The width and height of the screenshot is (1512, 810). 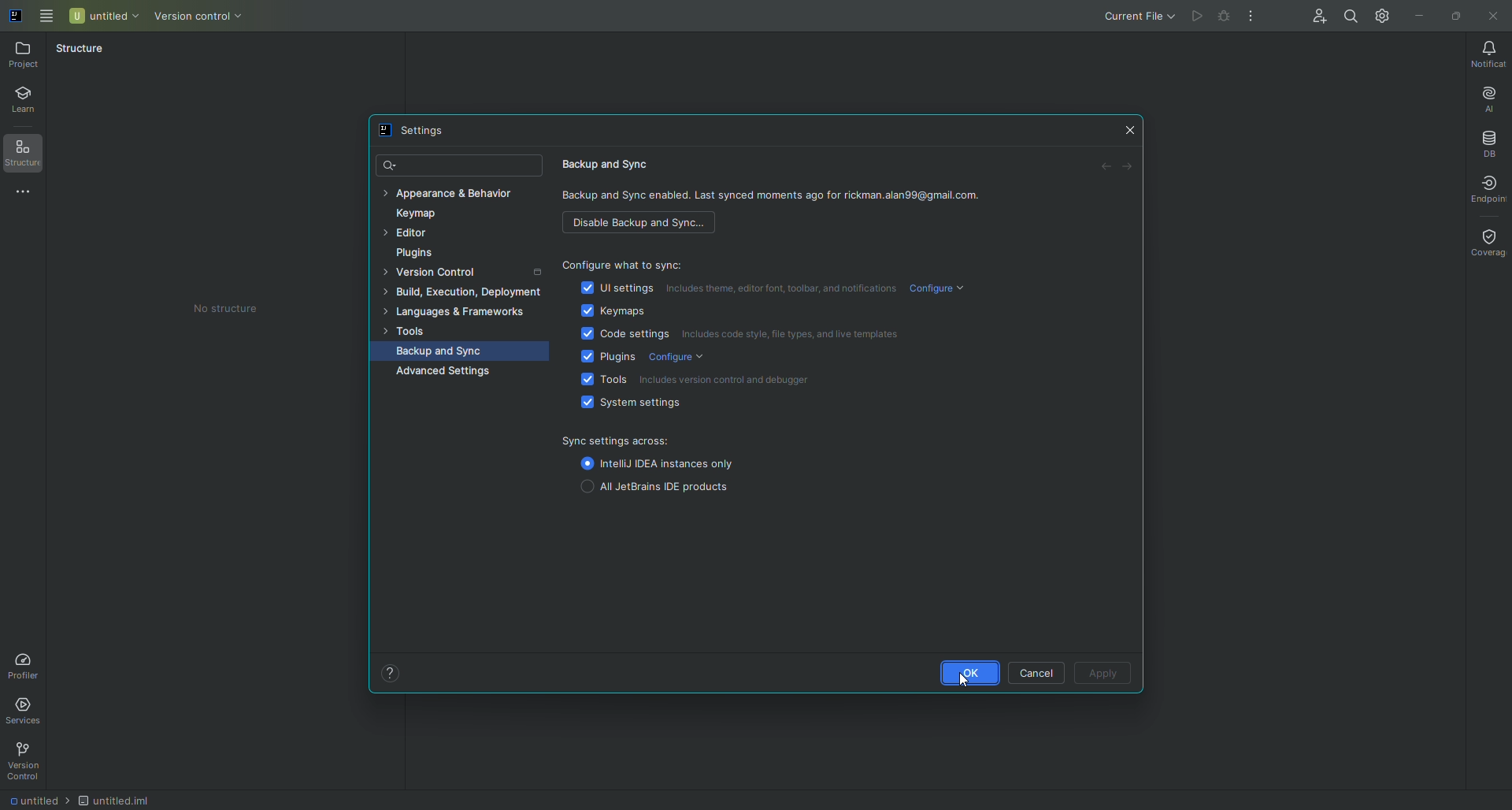 I want to click on Updates and Settings, so click(x=1383, y=15).